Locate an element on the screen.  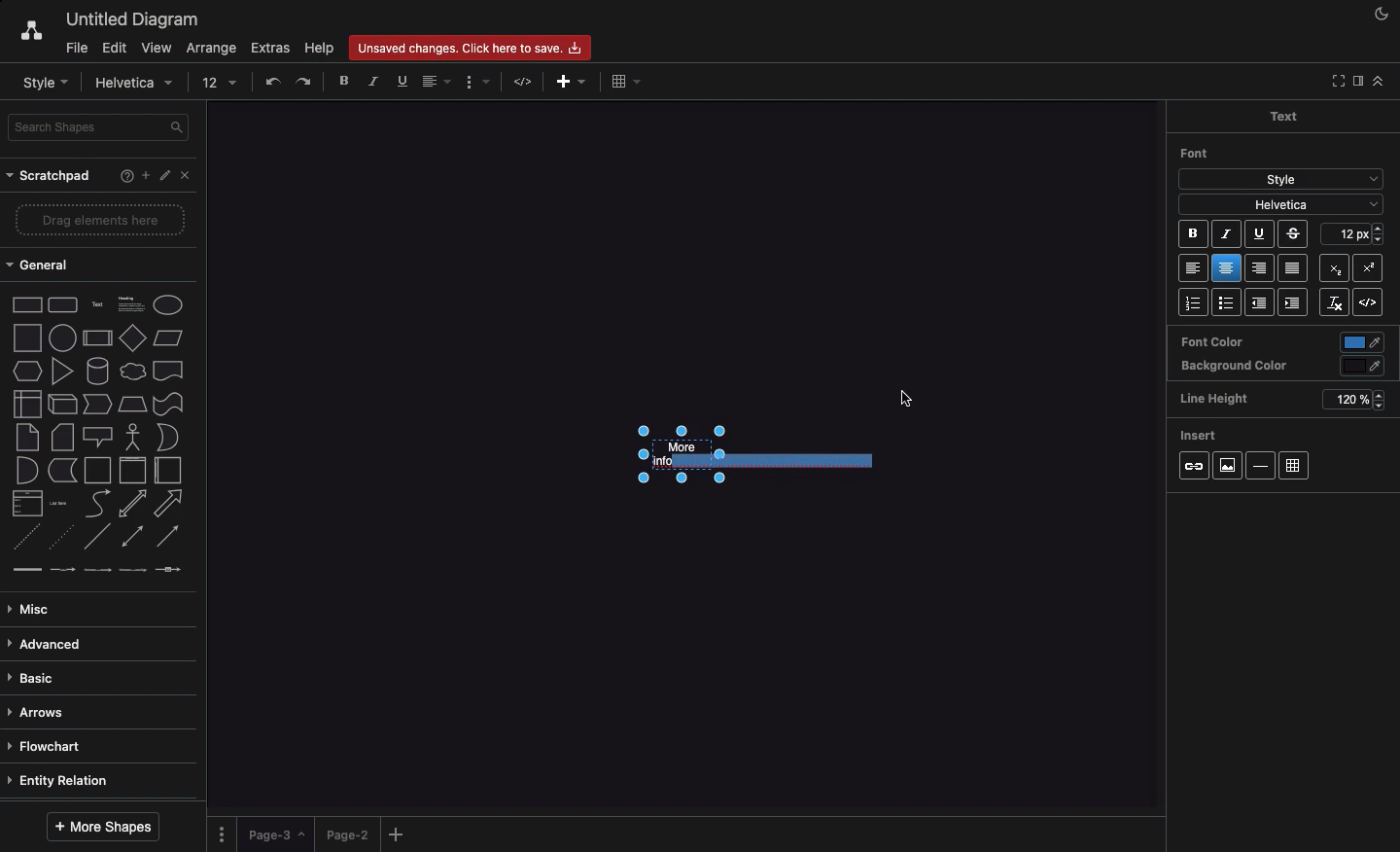
List is located at coordinates (1192, 302).